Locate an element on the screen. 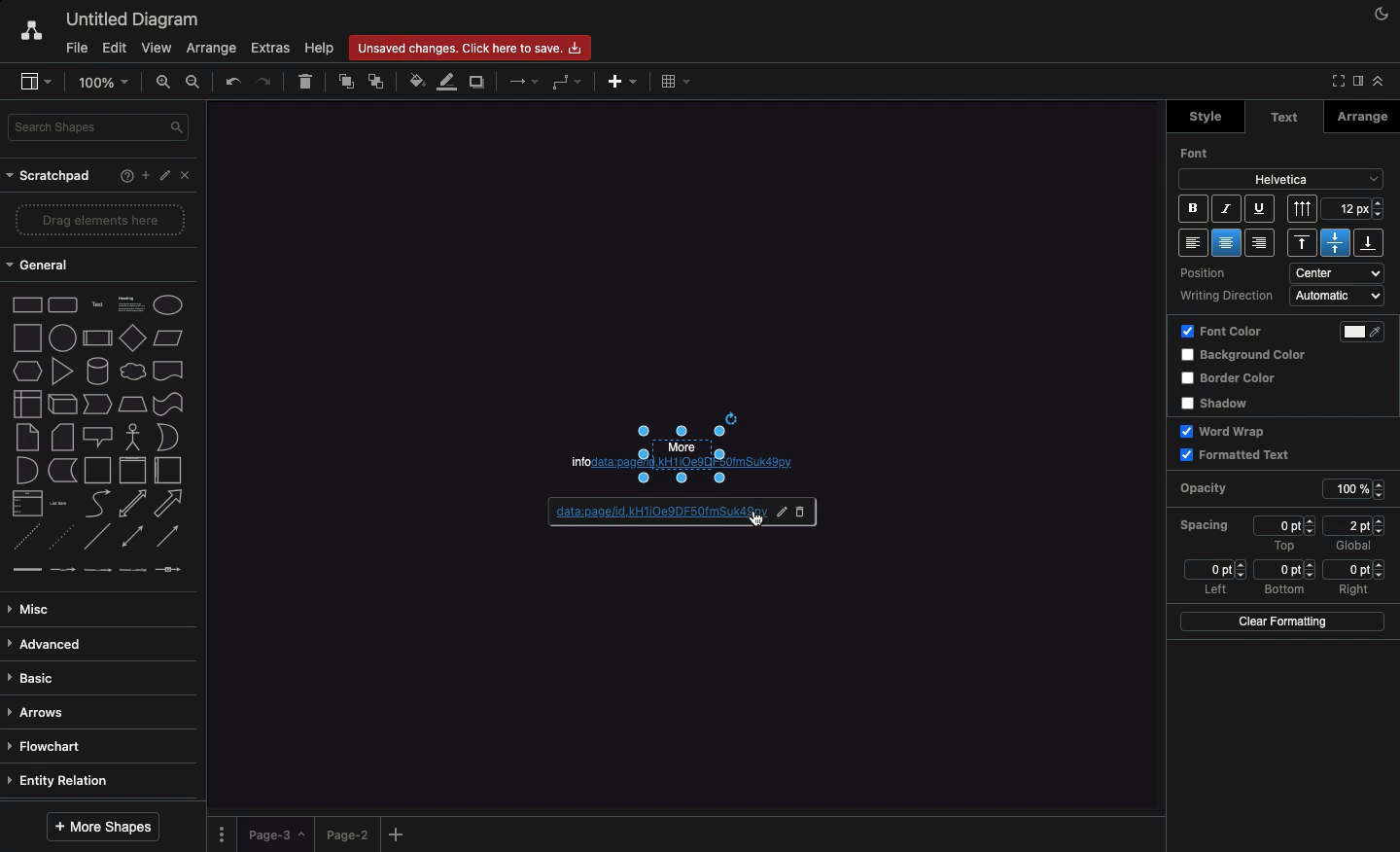  To back is located at coordinates (376, 83).